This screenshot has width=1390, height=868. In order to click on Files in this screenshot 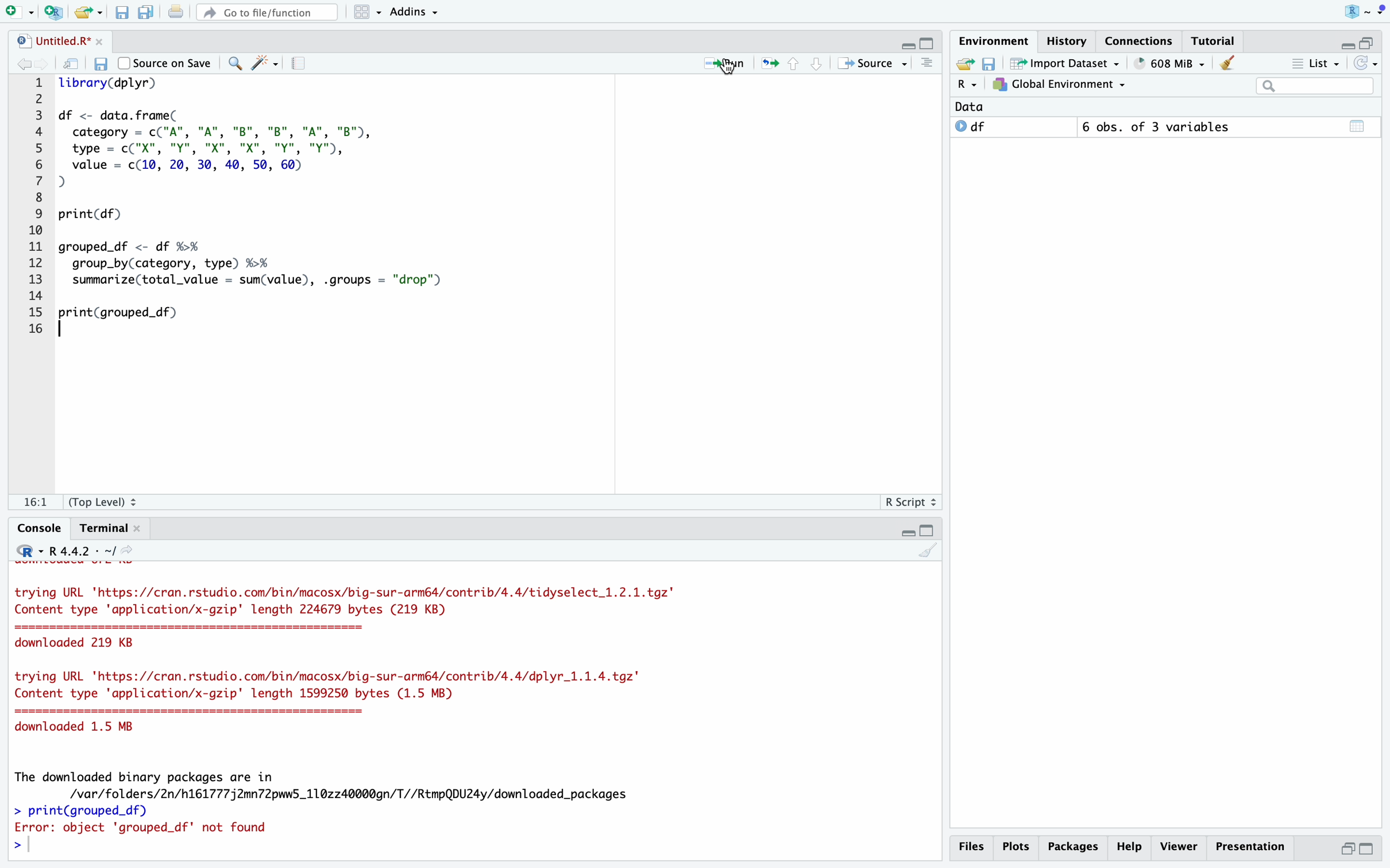, I will do `click(974, 847)`.